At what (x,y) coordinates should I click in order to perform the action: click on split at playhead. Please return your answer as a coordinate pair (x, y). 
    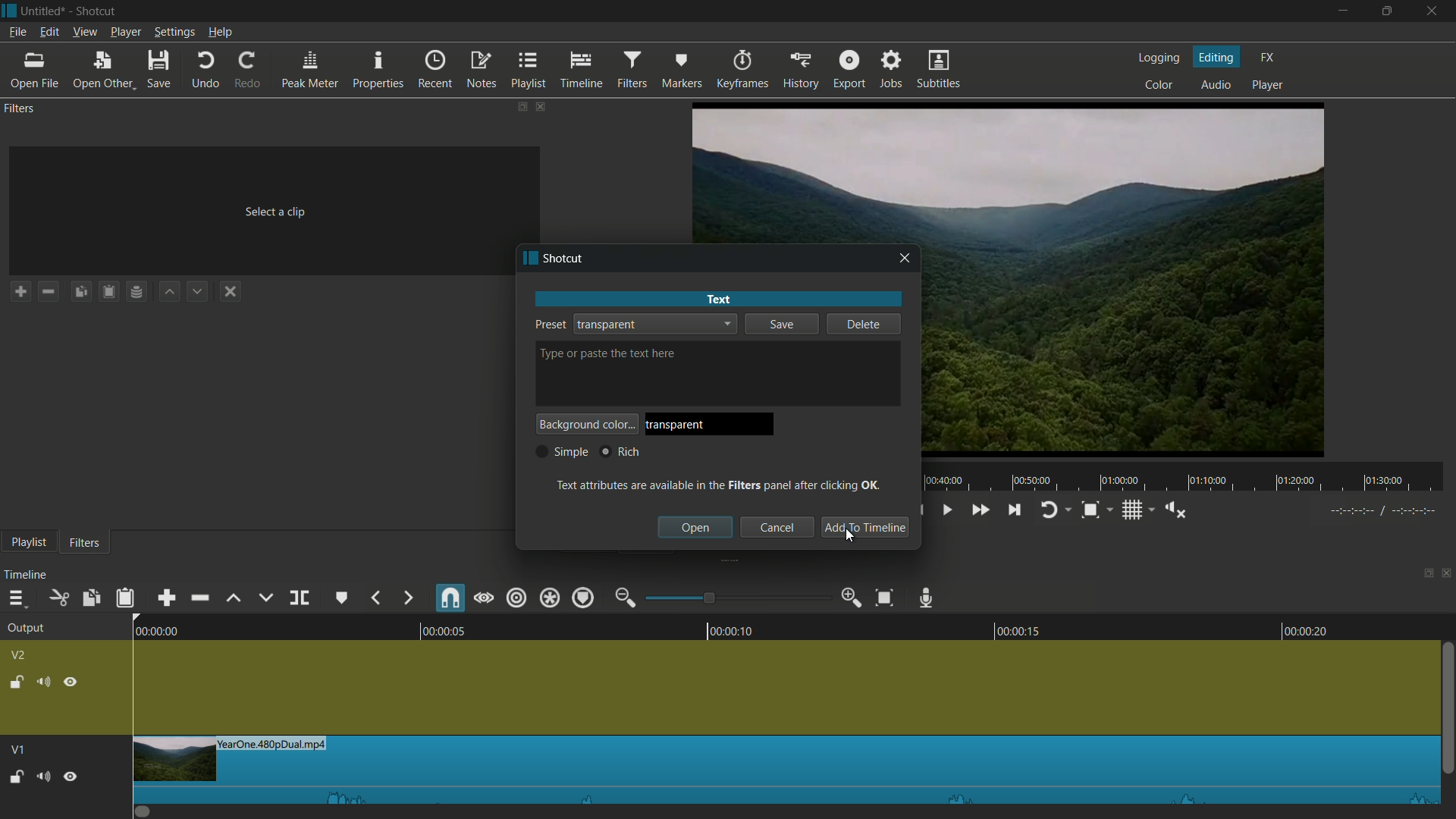
    Looking at the image, I should click on (299, 598).